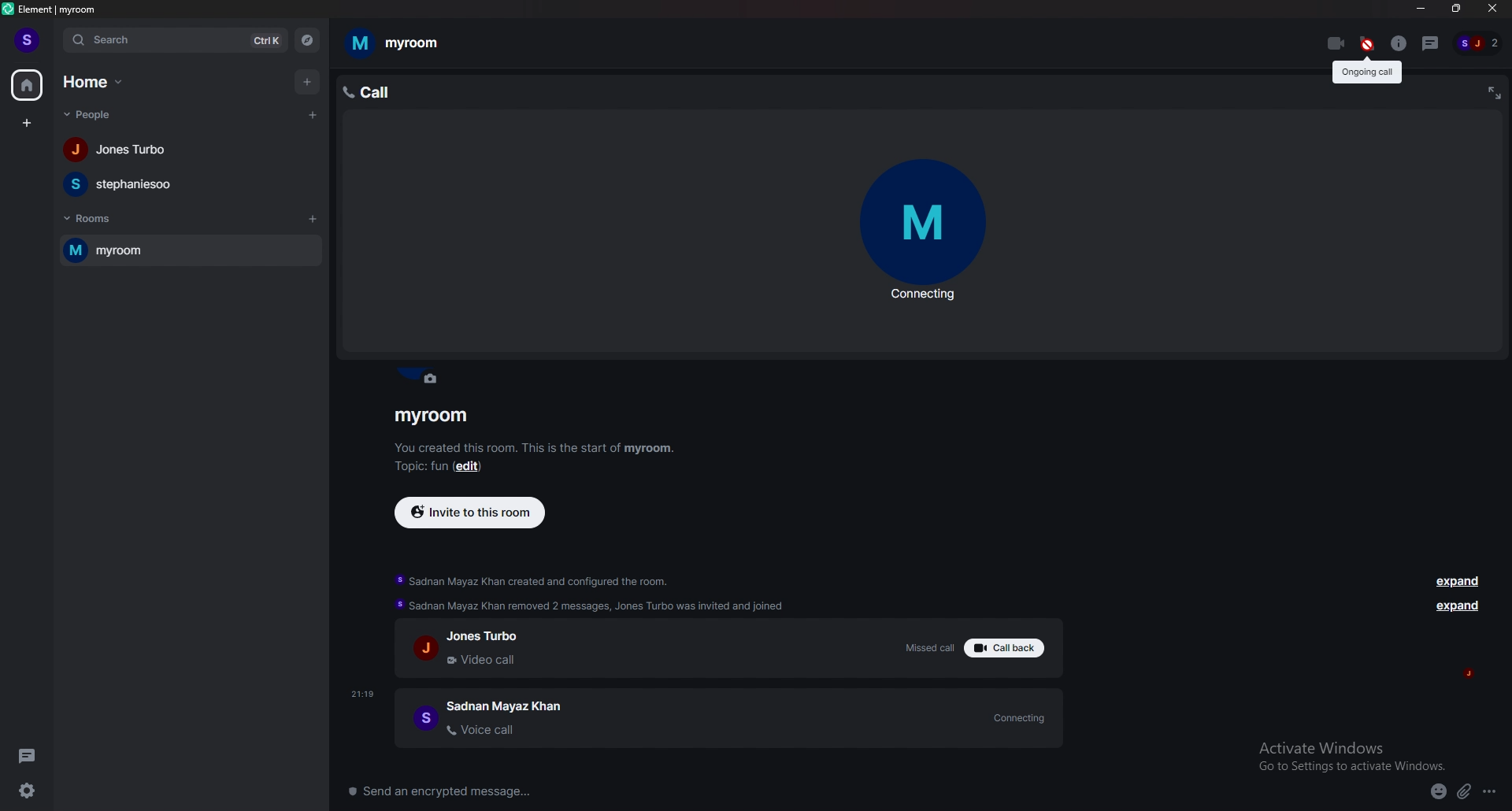  Describe the element at coordinates (598, 593) in the screenshot. I see `'$ Sadnan Mayaz Khan created and configured the room.
'$ Sadnan Mayaz Khan removed 2 messages, Jones Turbo was invited and joined` at that location.